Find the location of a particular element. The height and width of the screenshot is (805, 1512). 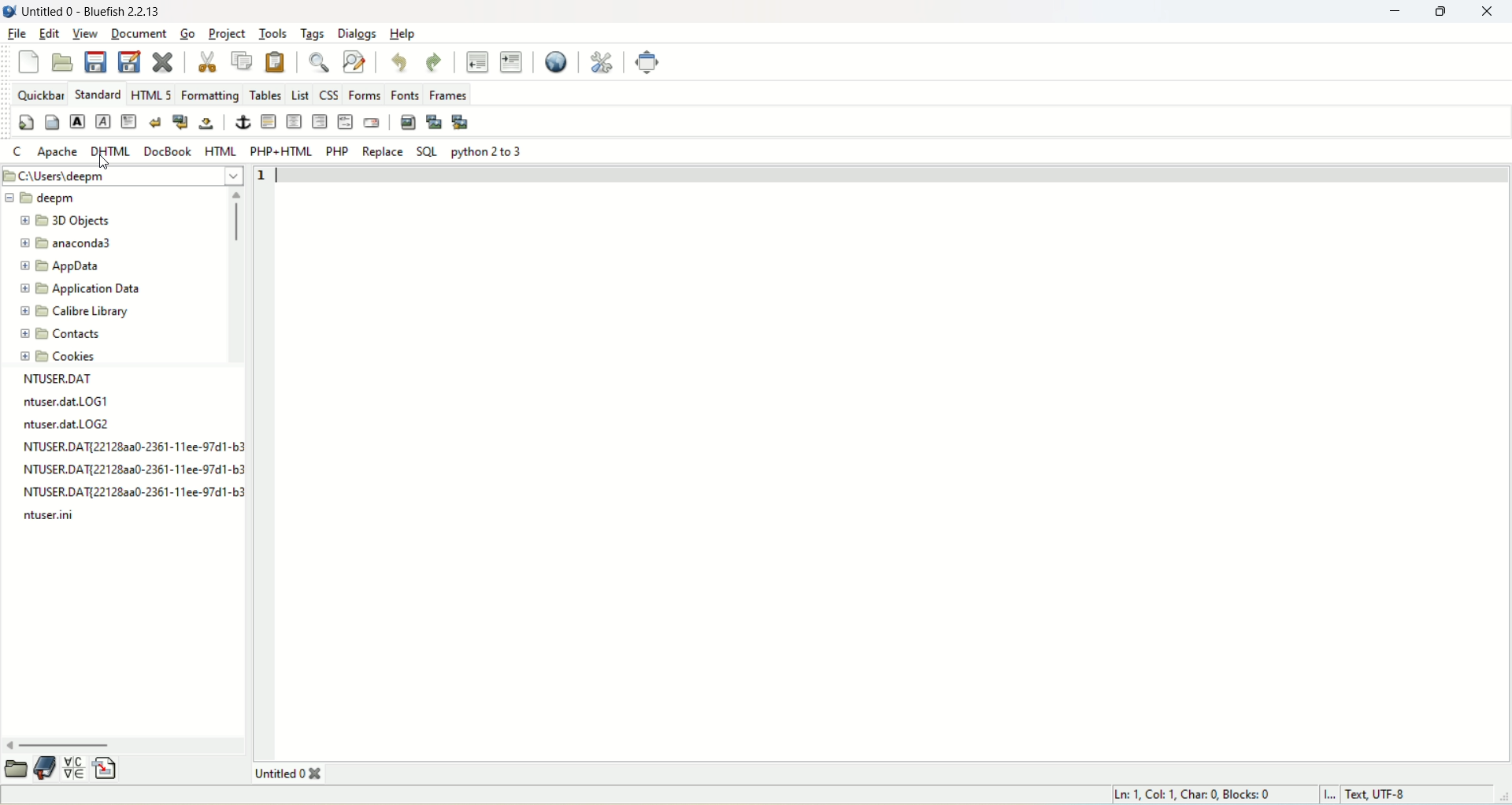

text, UTF-8 is located at coordinates (1380, 796).